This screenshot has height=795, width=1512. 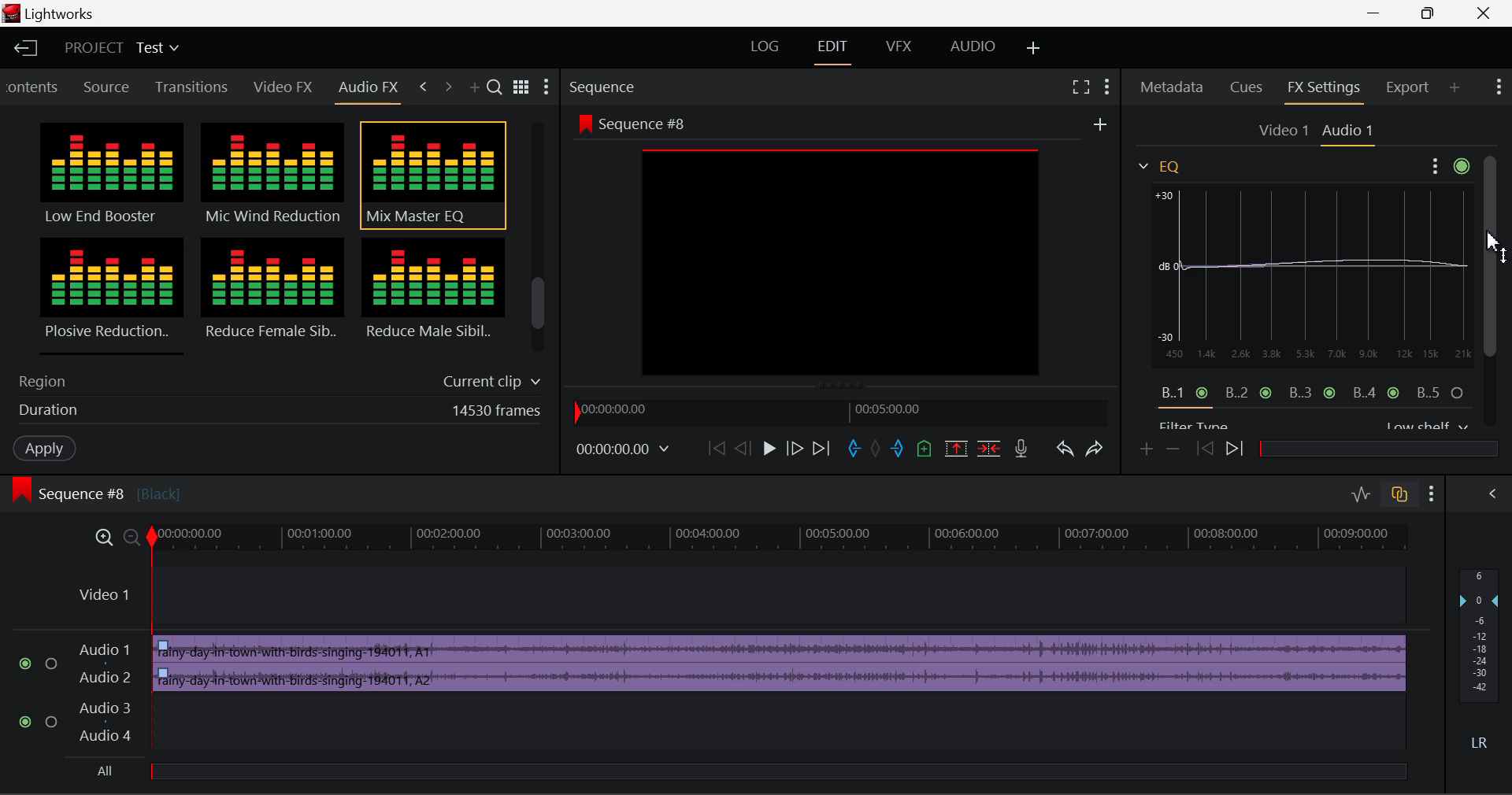 I want to click on Next keyframe, so click(x=1238, y=449).